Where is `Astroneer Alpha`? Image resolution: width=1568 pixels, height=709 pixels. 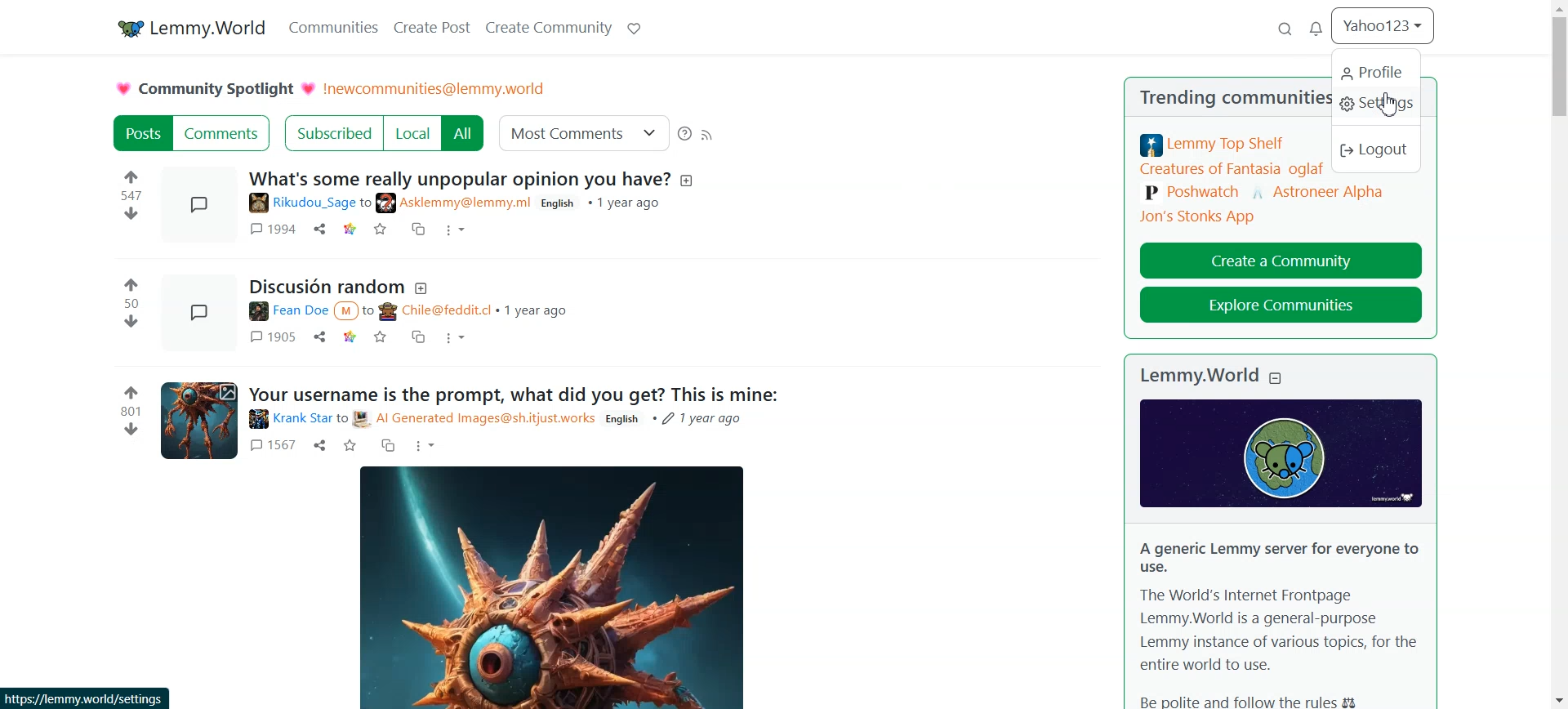
Astroneer Alpha is located at coordinates (1319, 190).